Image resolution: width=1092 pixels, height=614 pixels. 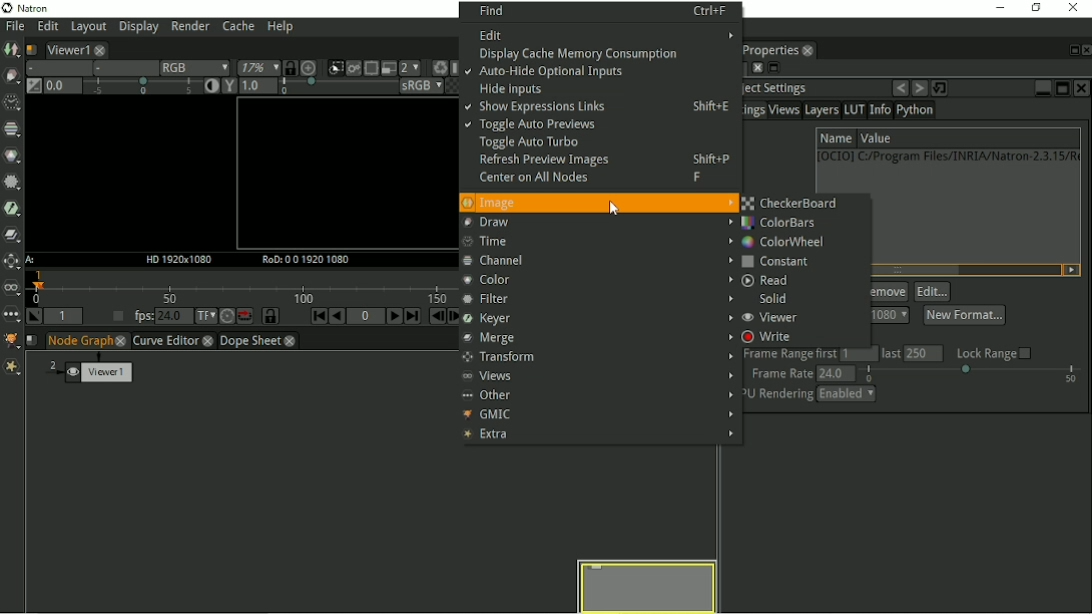 What do you see at coordinates (445, 87) in the screenshot?
I see `Checkerboard` at bounding box center [445, 87].